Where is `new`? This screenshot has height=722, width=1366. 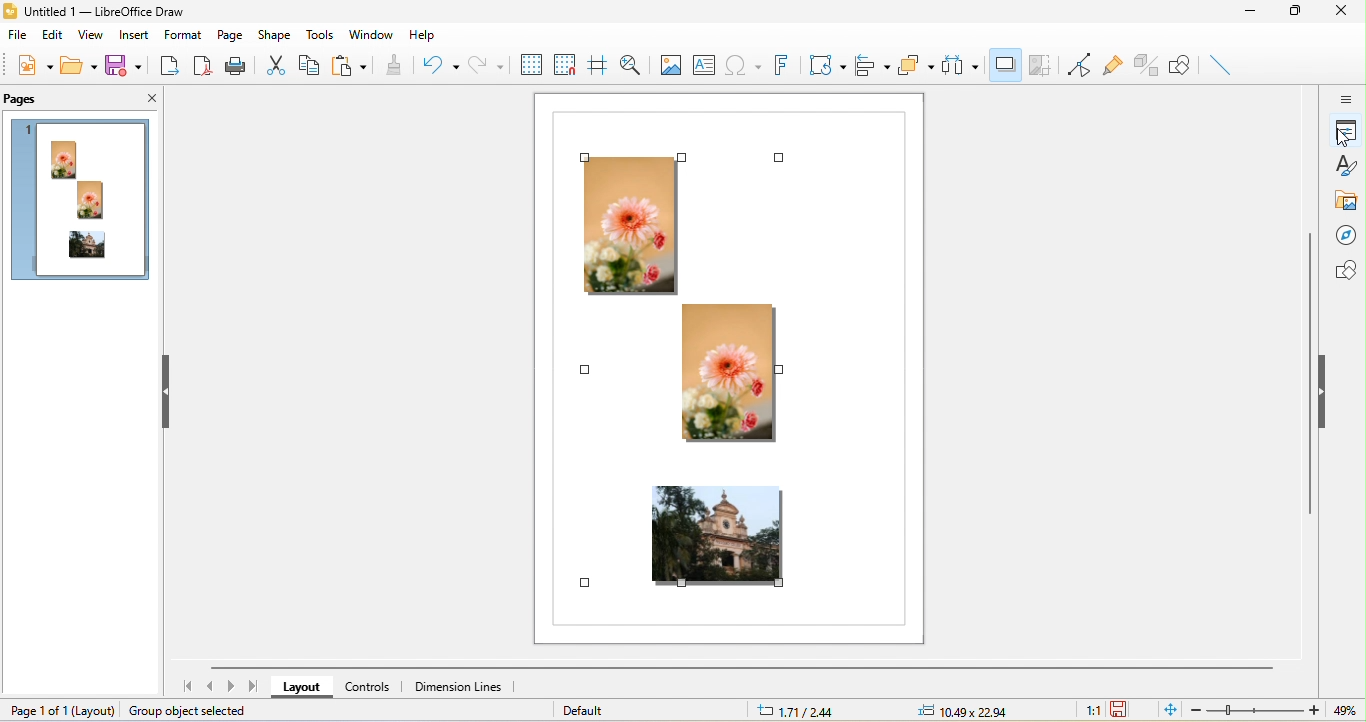 new is located at coordinates (31, 68).